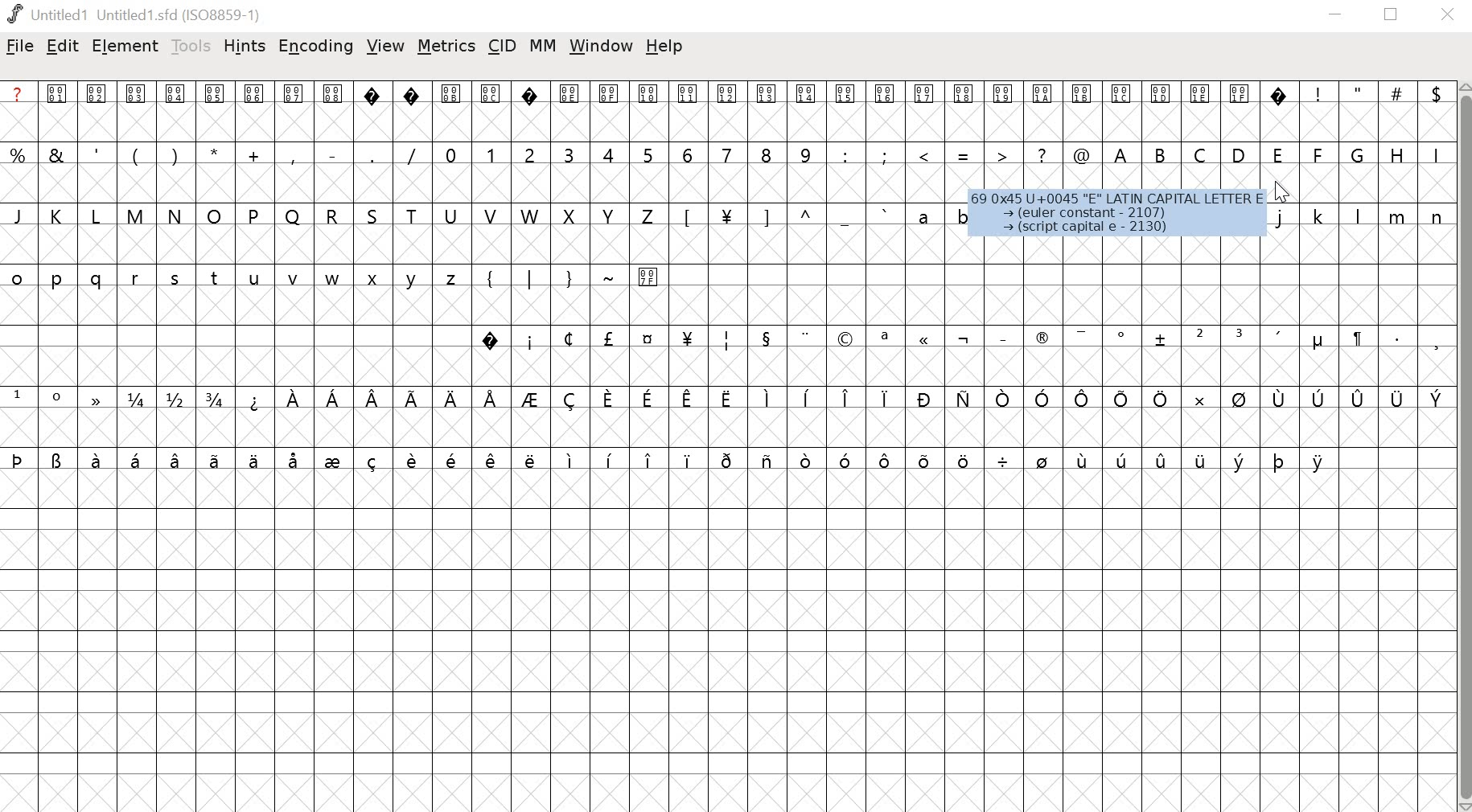 The image size is (1472, 812). Describe the element at coordinates (1463, 447) in the screenshot. I see `scrollbar` at that location.